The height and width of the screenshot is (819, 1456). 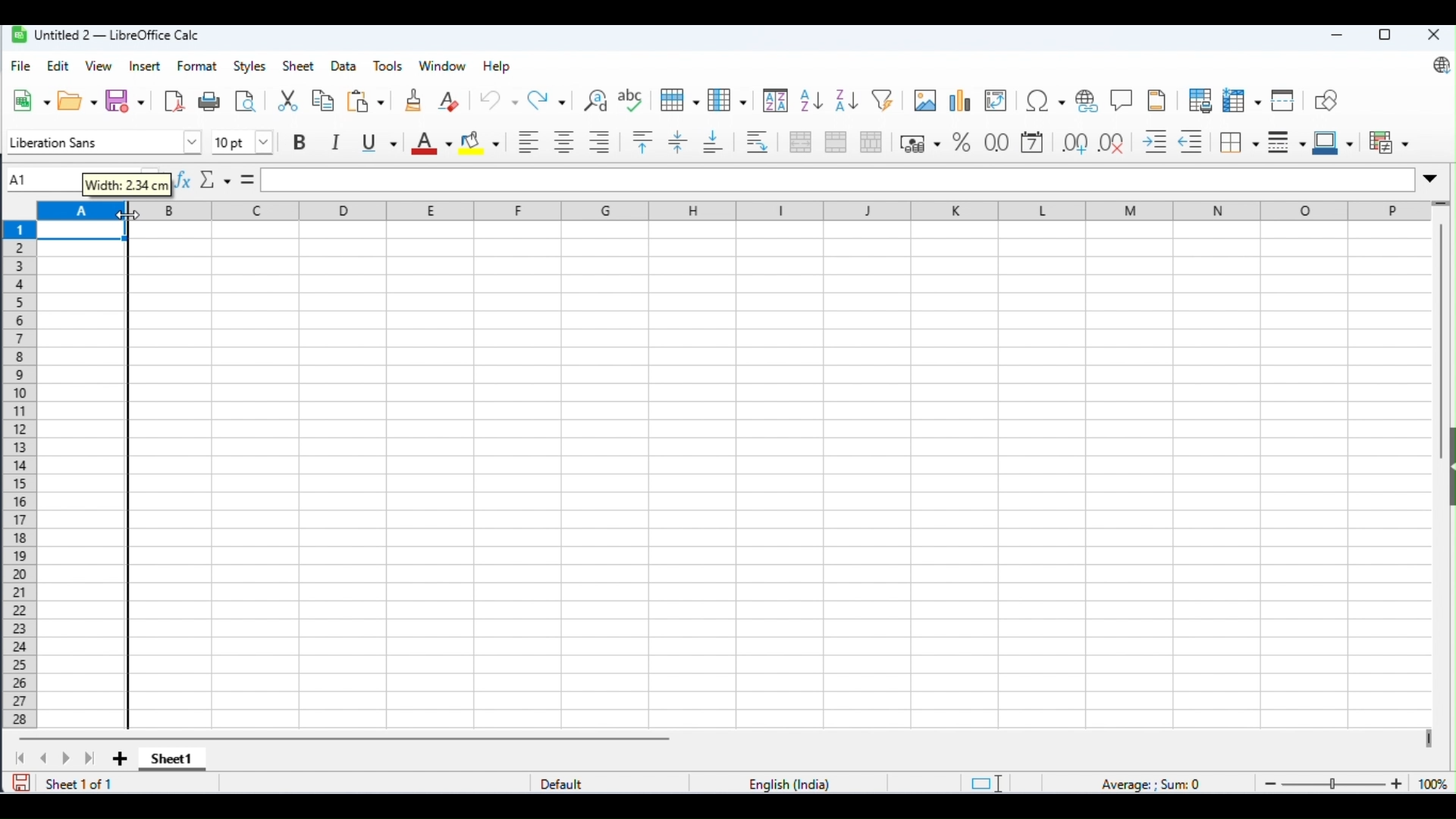 I want to click on format as percent, so click(x=919, y=143).